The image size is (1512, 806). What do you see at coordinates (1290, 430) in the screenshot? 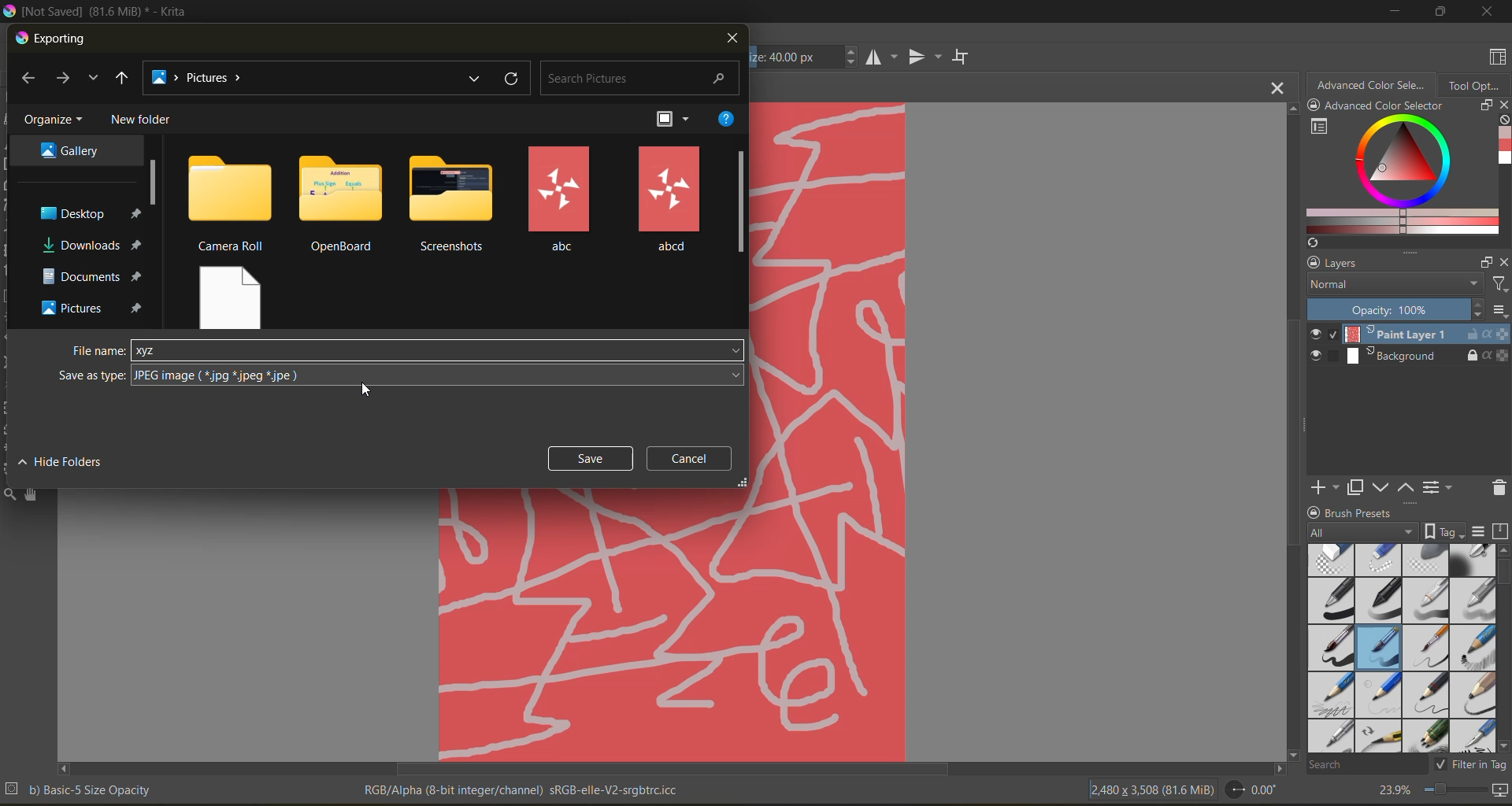
I see `Vertical scroll bar` at bounding box center [1290, 430].